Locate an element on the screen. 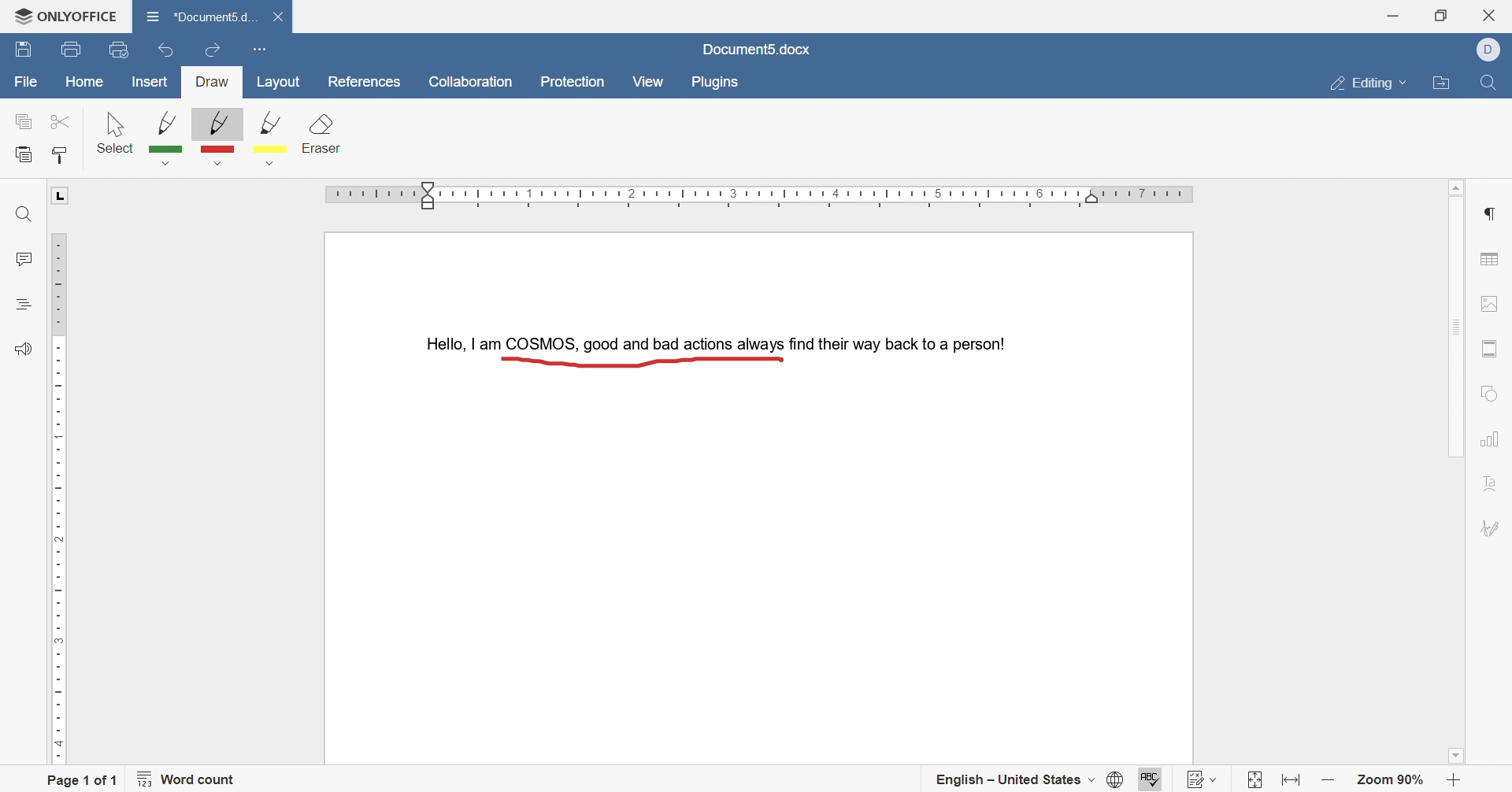 The image size is (1512, 792). quick print is located at coordinates (121, 49).